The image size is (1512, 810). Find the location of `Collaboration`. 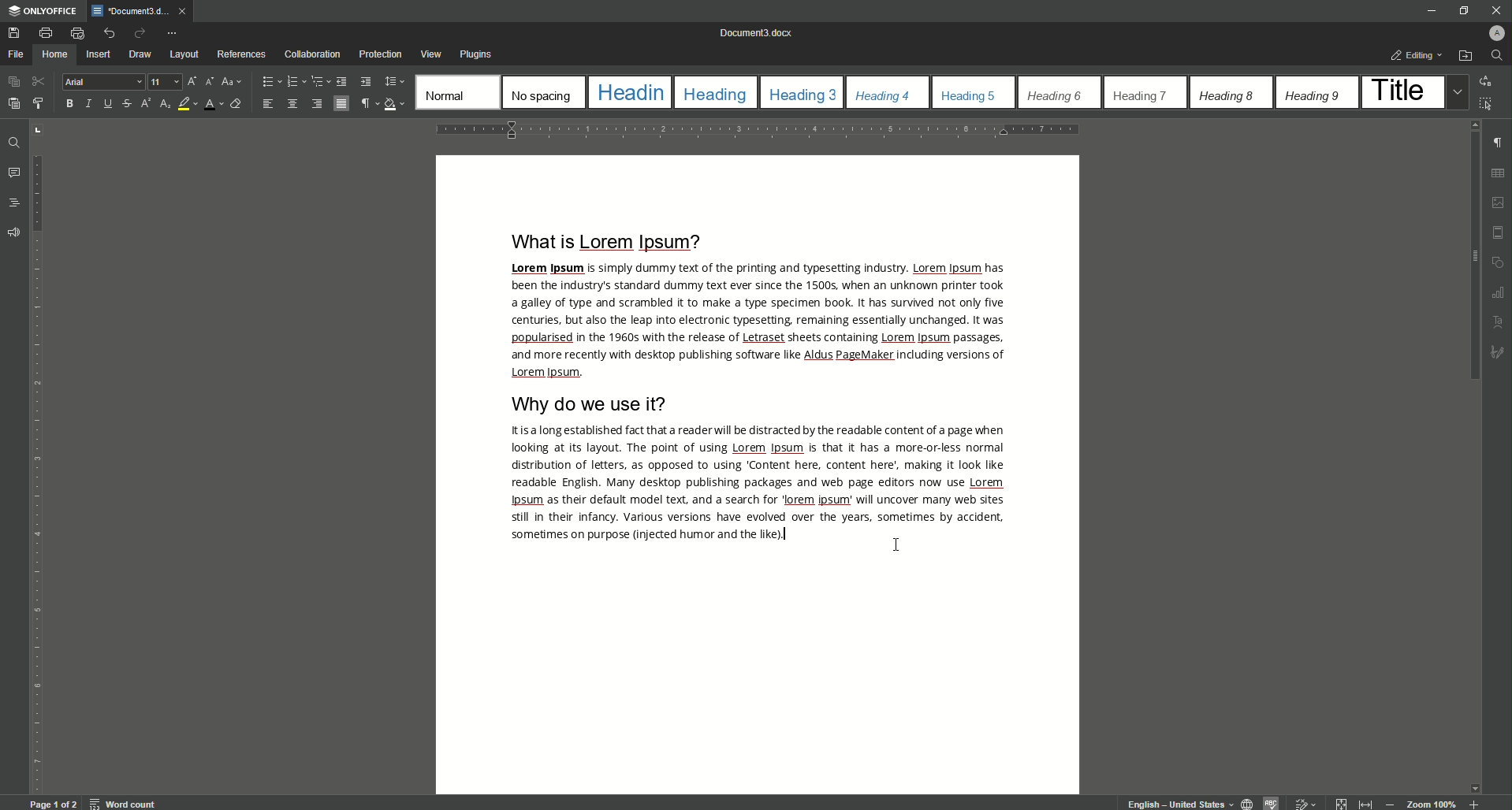

Collaboration is located at coordinates (311, 54).